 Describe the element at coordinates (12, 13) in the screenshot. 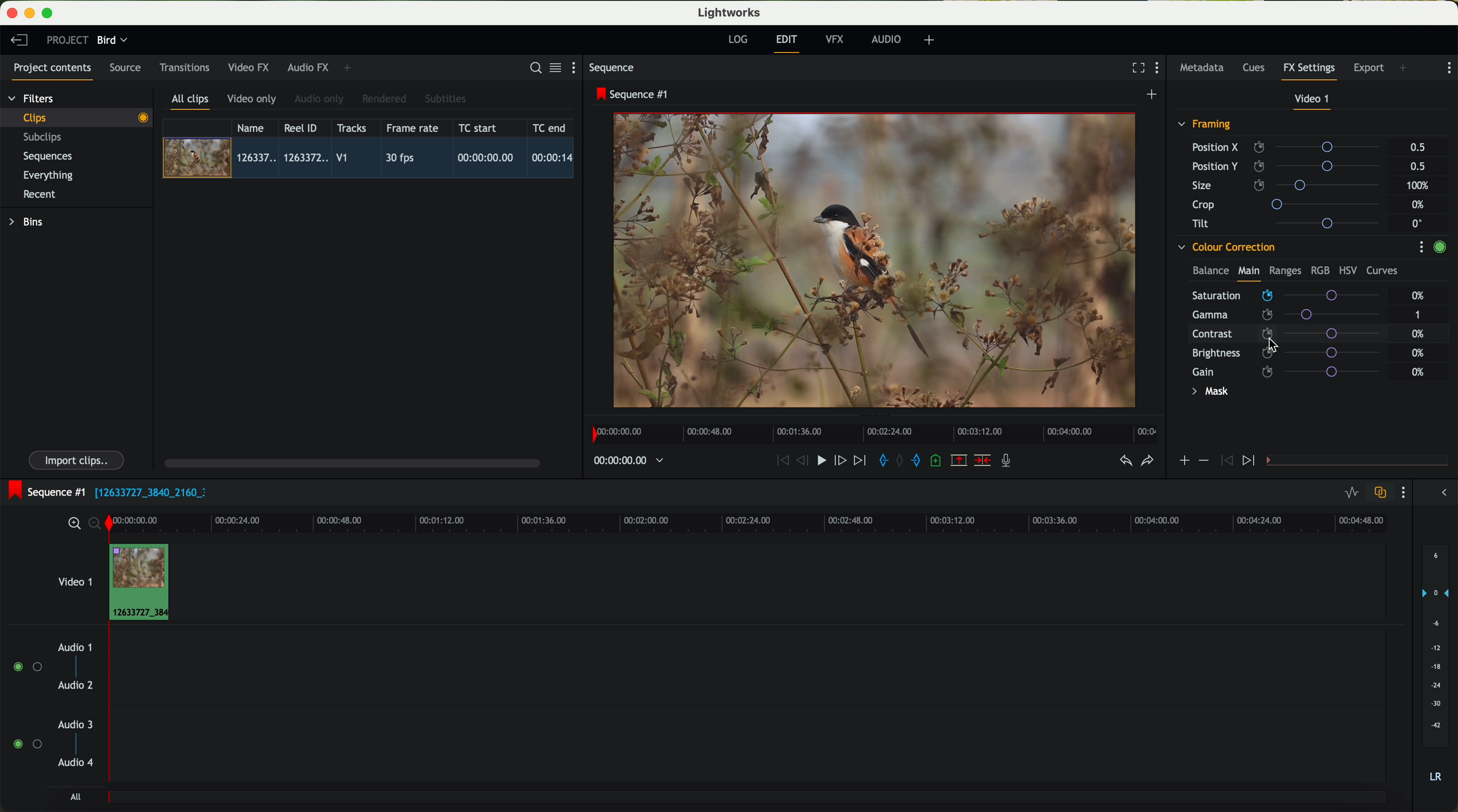

I see `close program` at that location.